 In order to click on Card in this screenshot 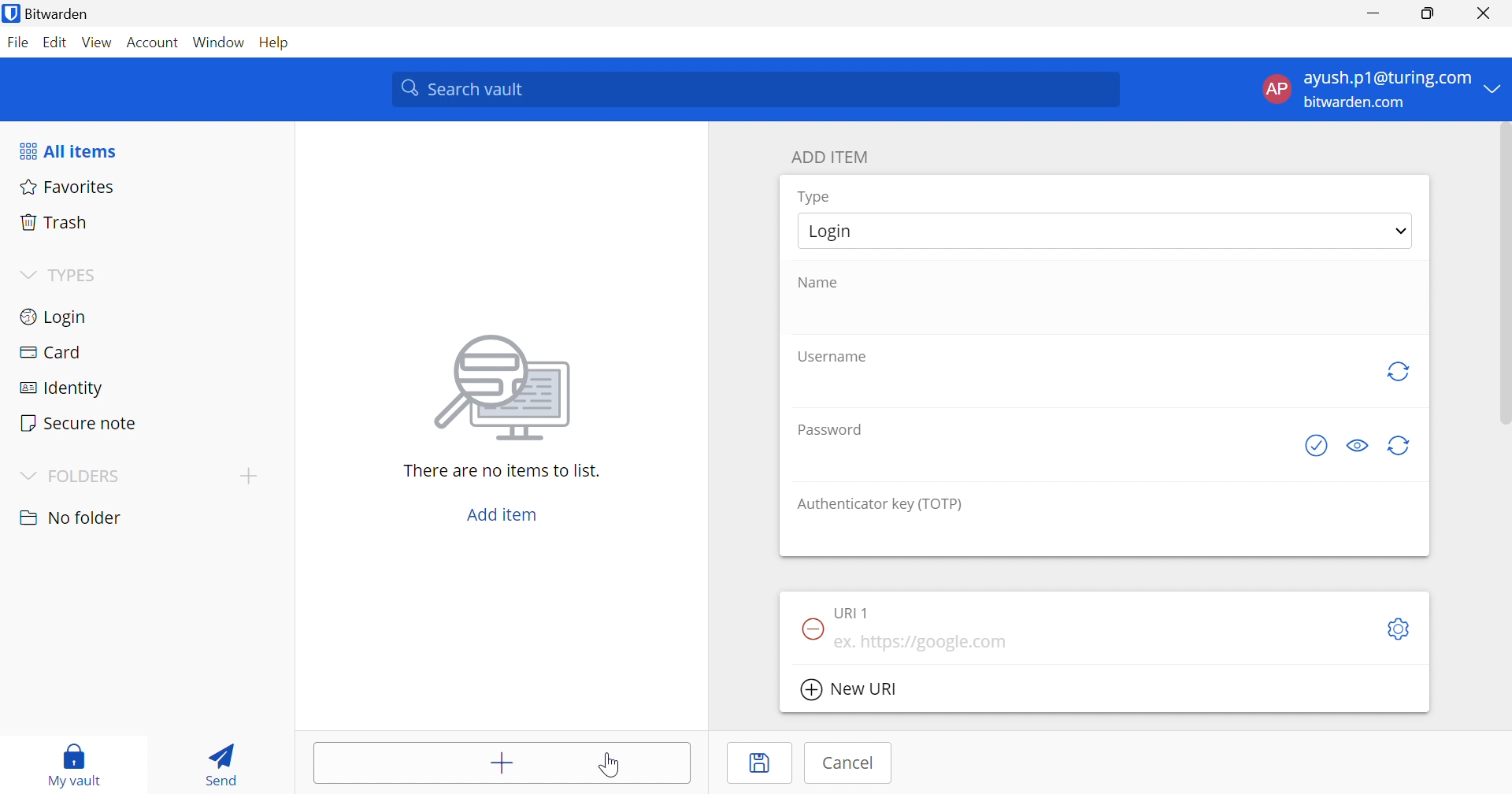, I will do `click(53, 354)`.